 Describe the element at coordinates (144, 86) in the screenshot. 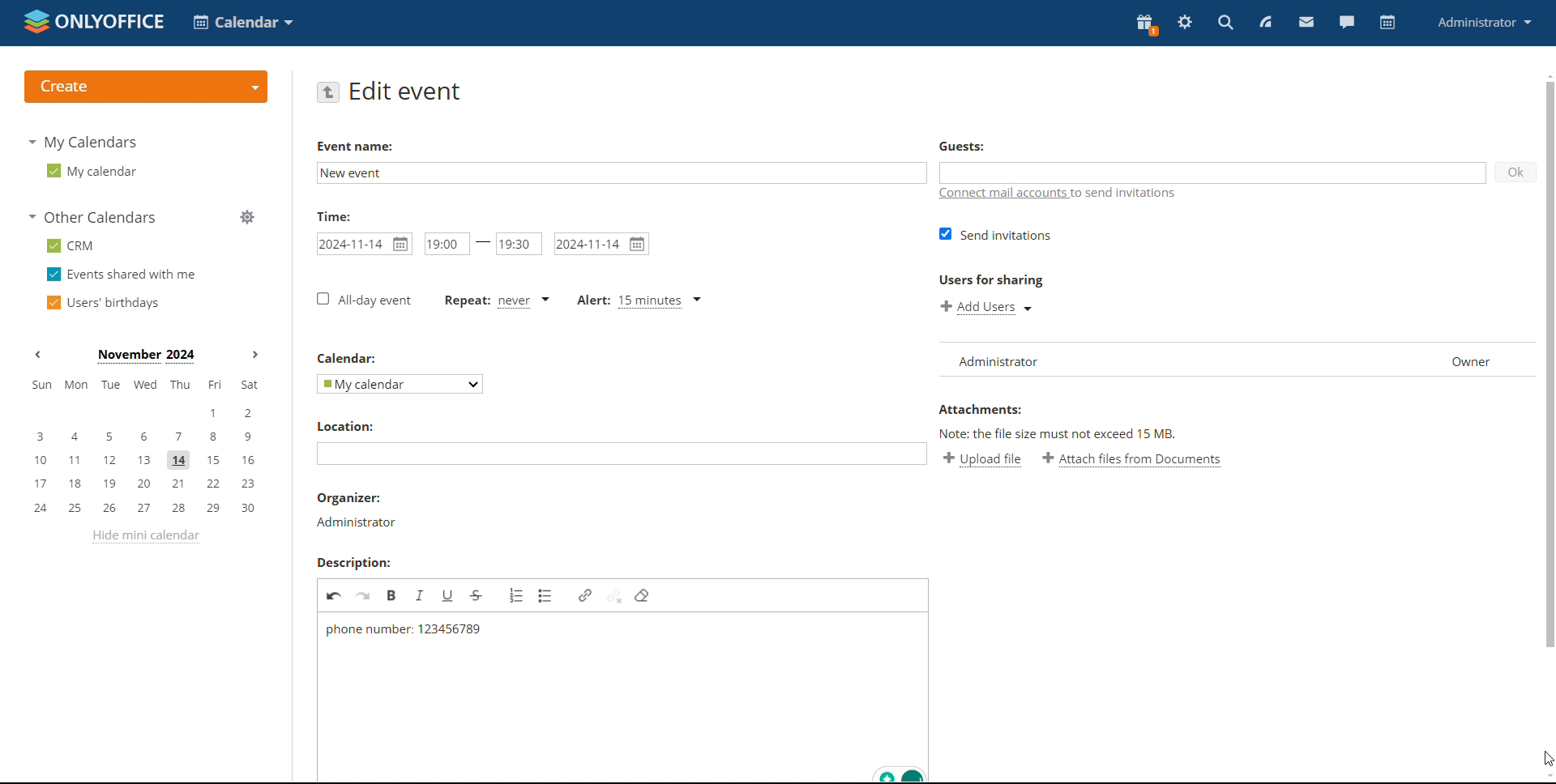

I see `logo` at that location.